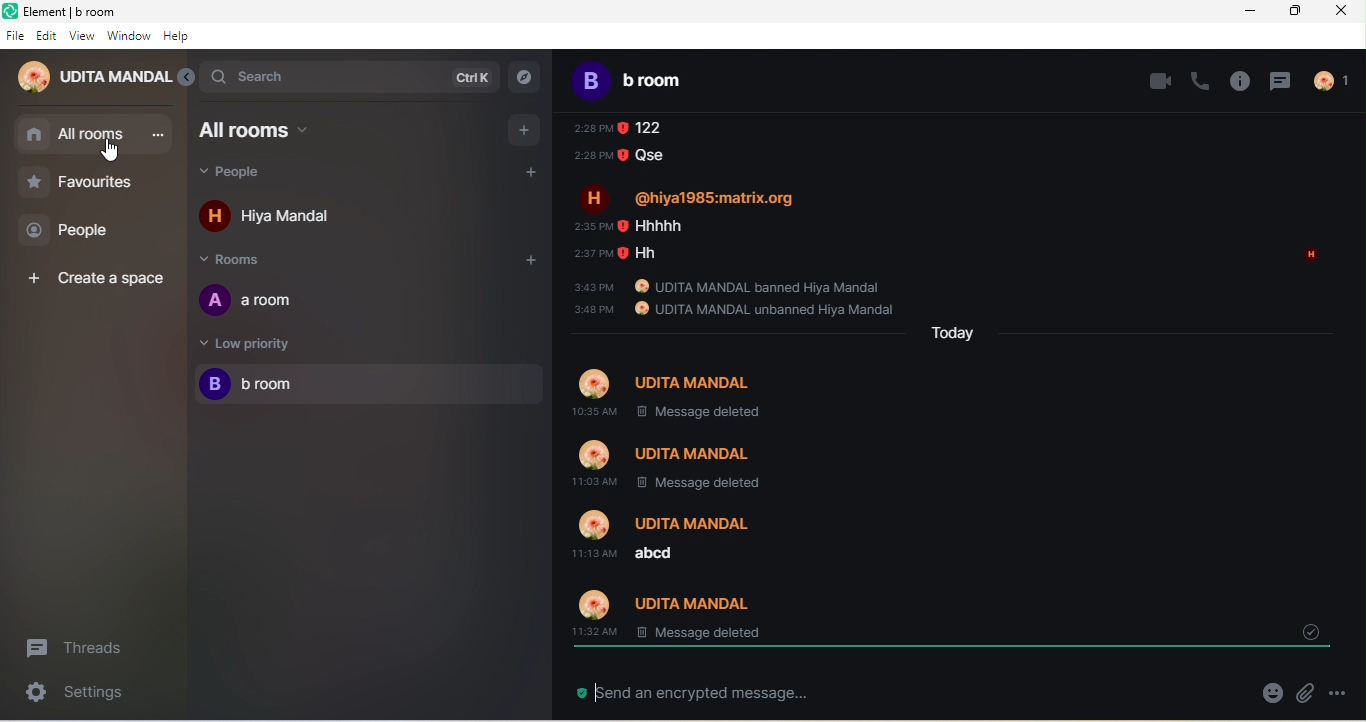 This screenshot has width=1366, height=722. What do you see at coordinates (94, 276) in the screenshot?
I see `create space` at bounding box center [94, 276].